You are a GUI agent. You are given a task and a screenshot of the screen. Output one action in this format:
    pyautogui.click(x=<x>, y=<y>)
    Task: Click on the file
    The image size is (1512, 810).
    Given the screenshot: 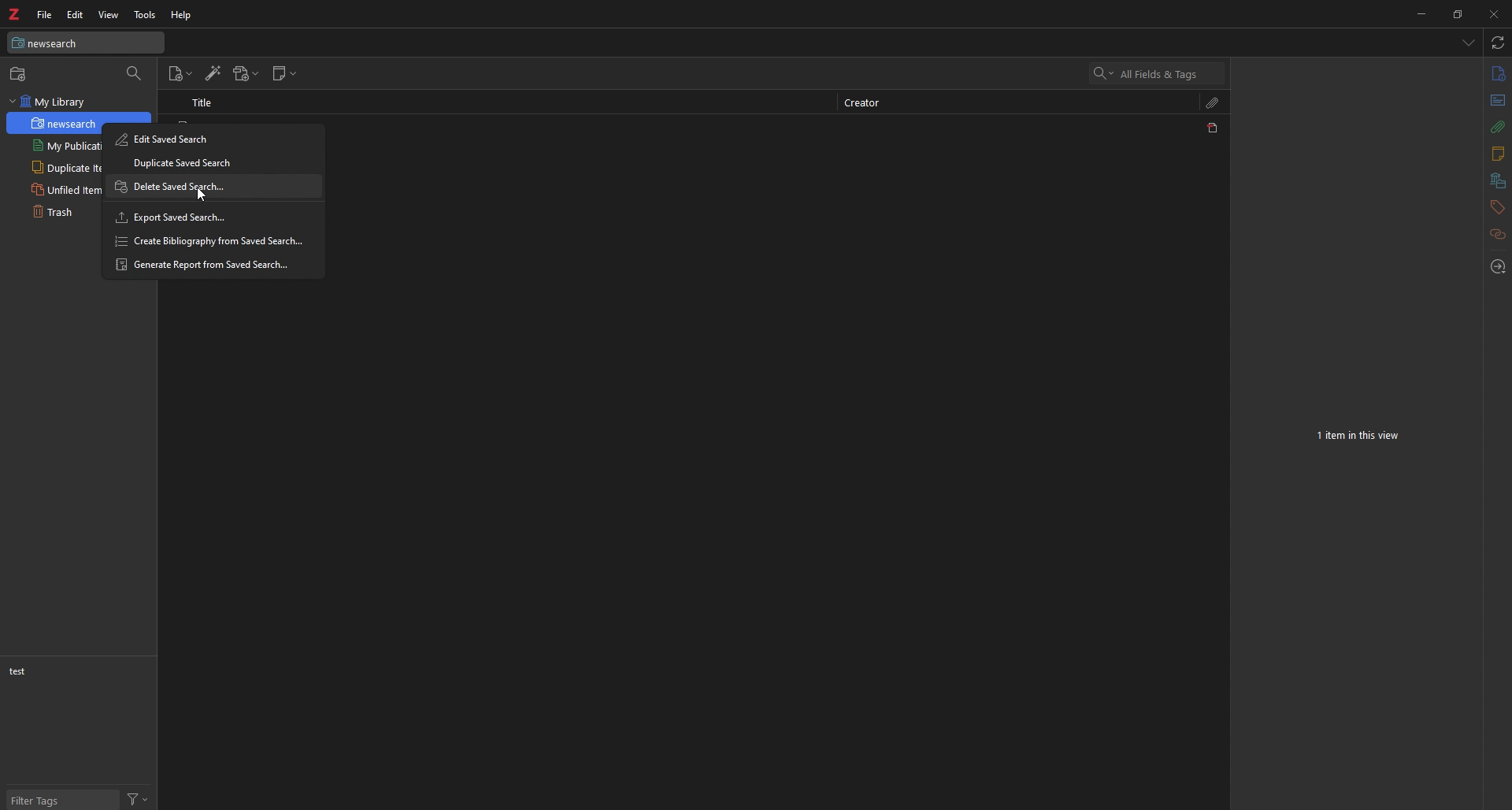 What is the action you would take?
    pyautogui.click(x=44, y=15)
    